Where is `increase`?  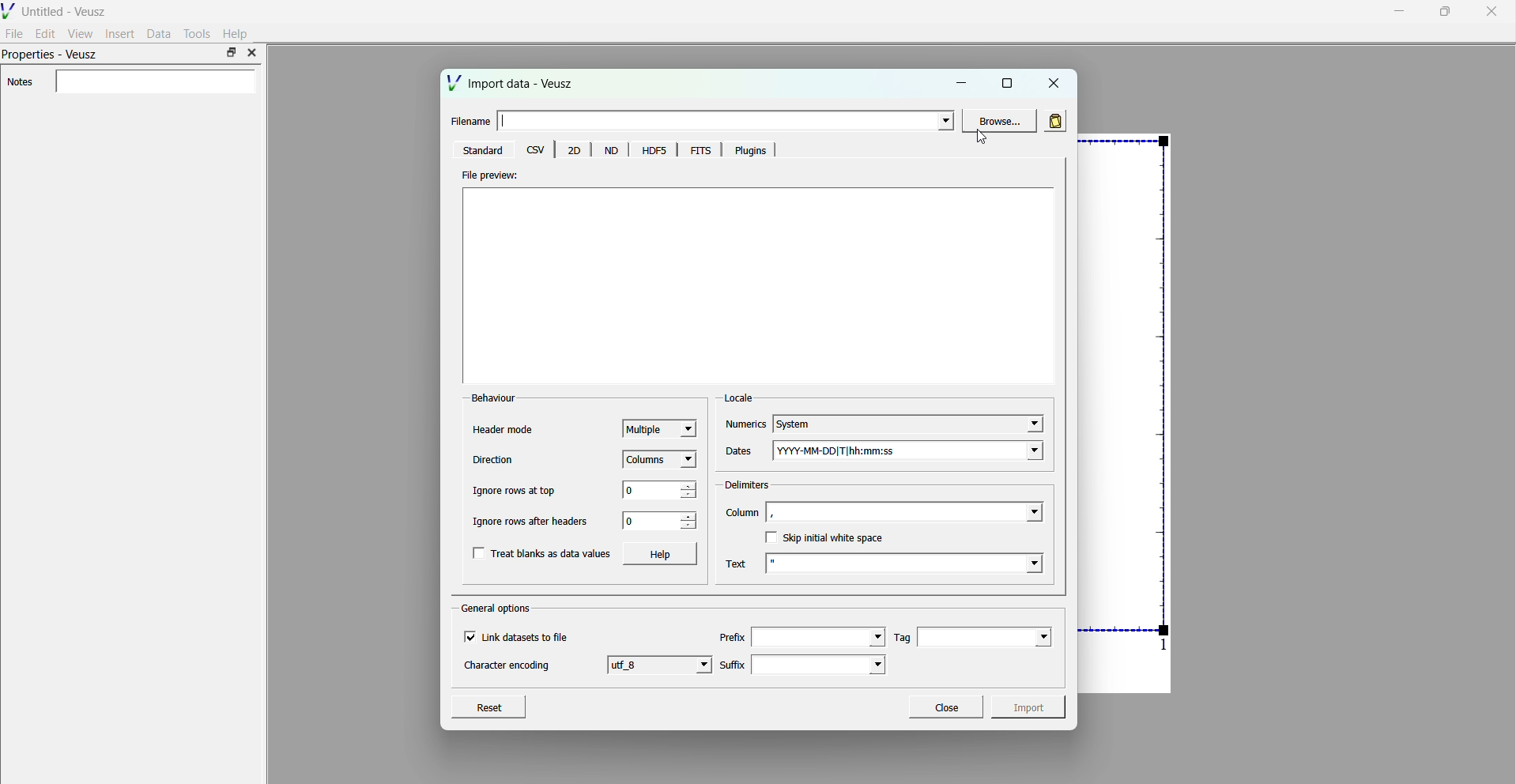
increase is located at coordinates (689, 514).